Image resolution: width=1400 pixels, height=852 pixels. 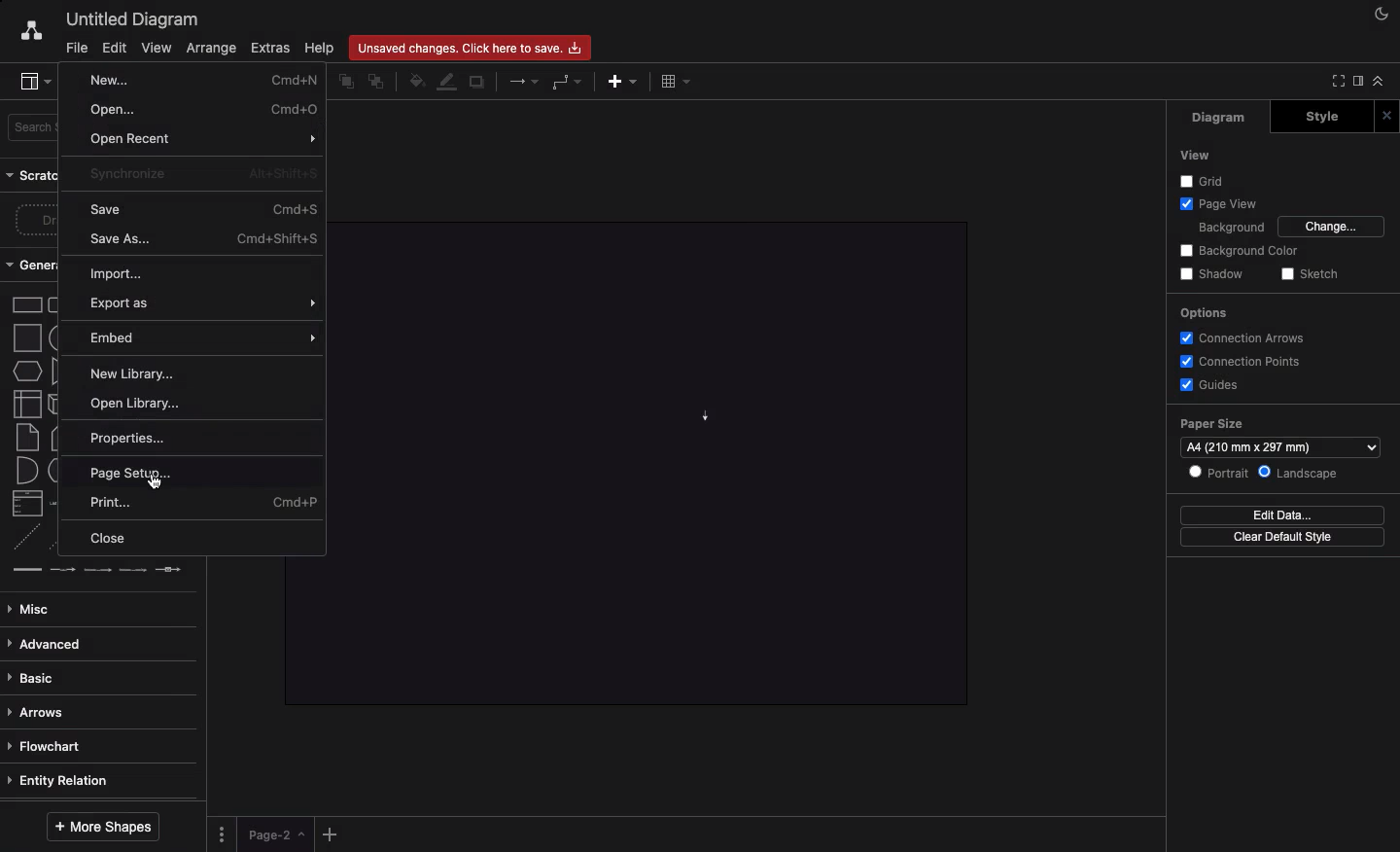 What do you see at coordinates (415, 82) in the screenshot?
I see `Fill` at bounding box center [415, 82].